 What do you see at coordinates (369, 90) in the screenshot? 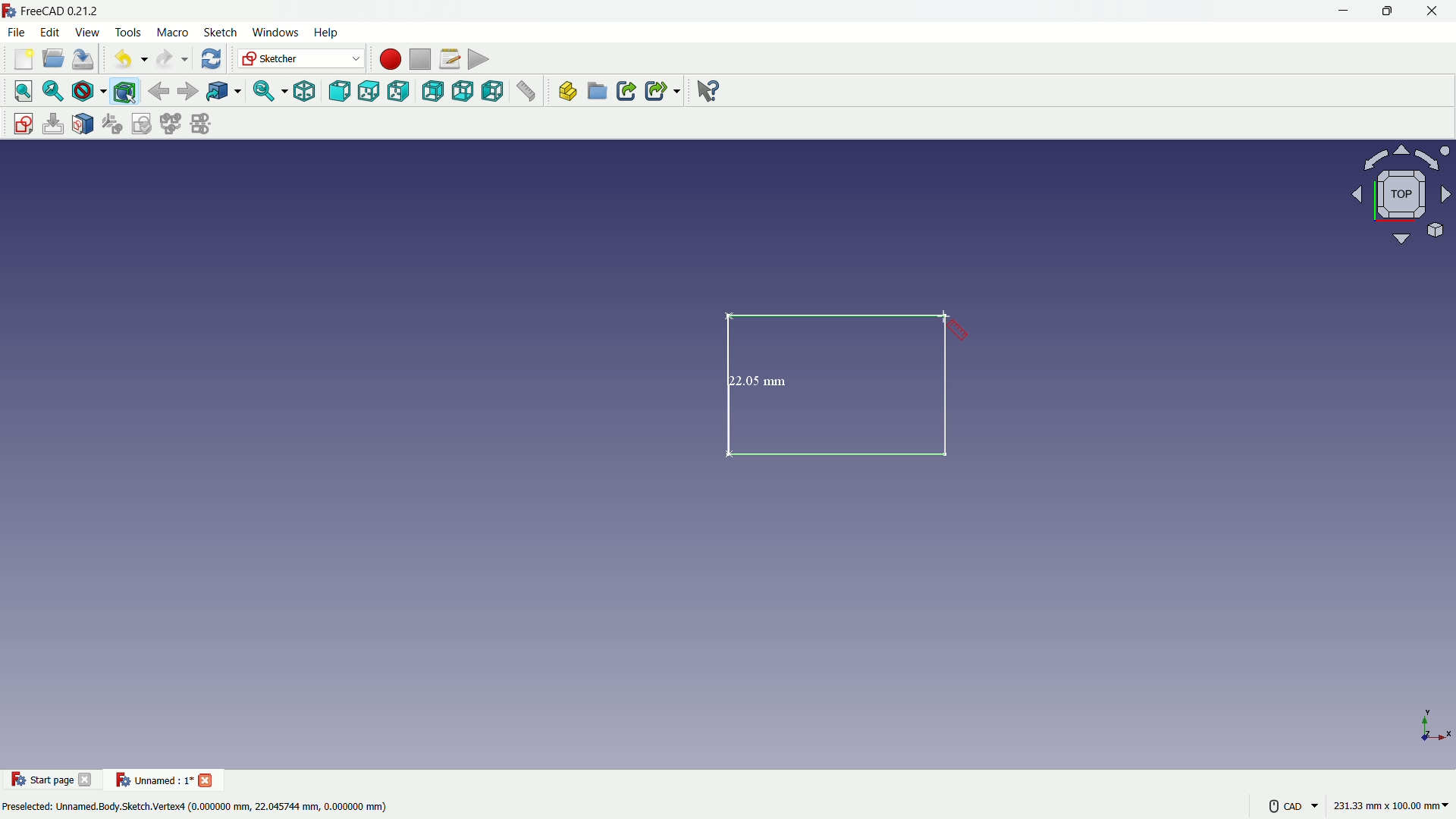
I see `top view` at bounding box center [369, 90].